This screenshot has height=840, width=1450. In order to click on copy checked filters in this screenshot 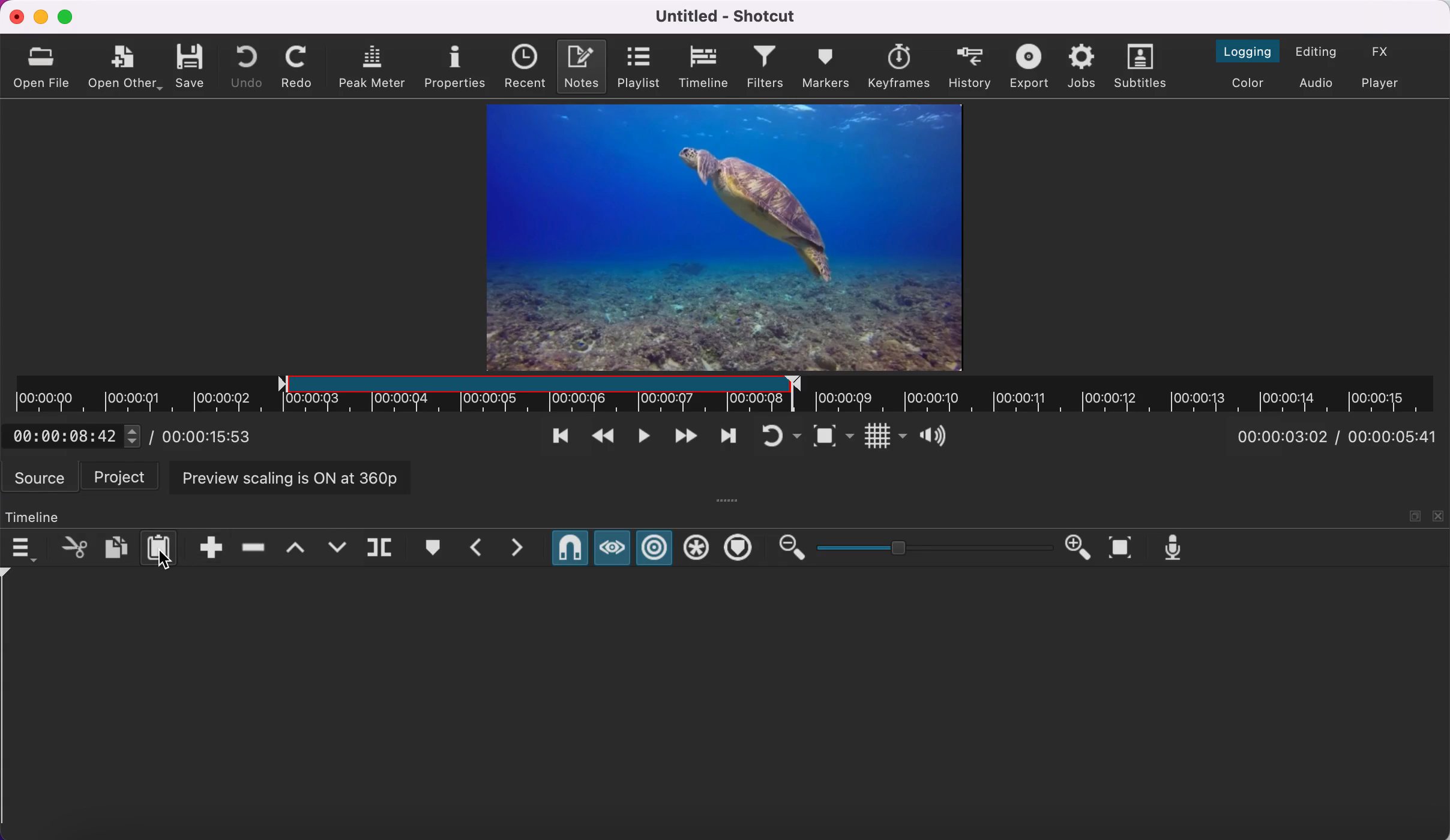, I will do `click(115, 547)`.